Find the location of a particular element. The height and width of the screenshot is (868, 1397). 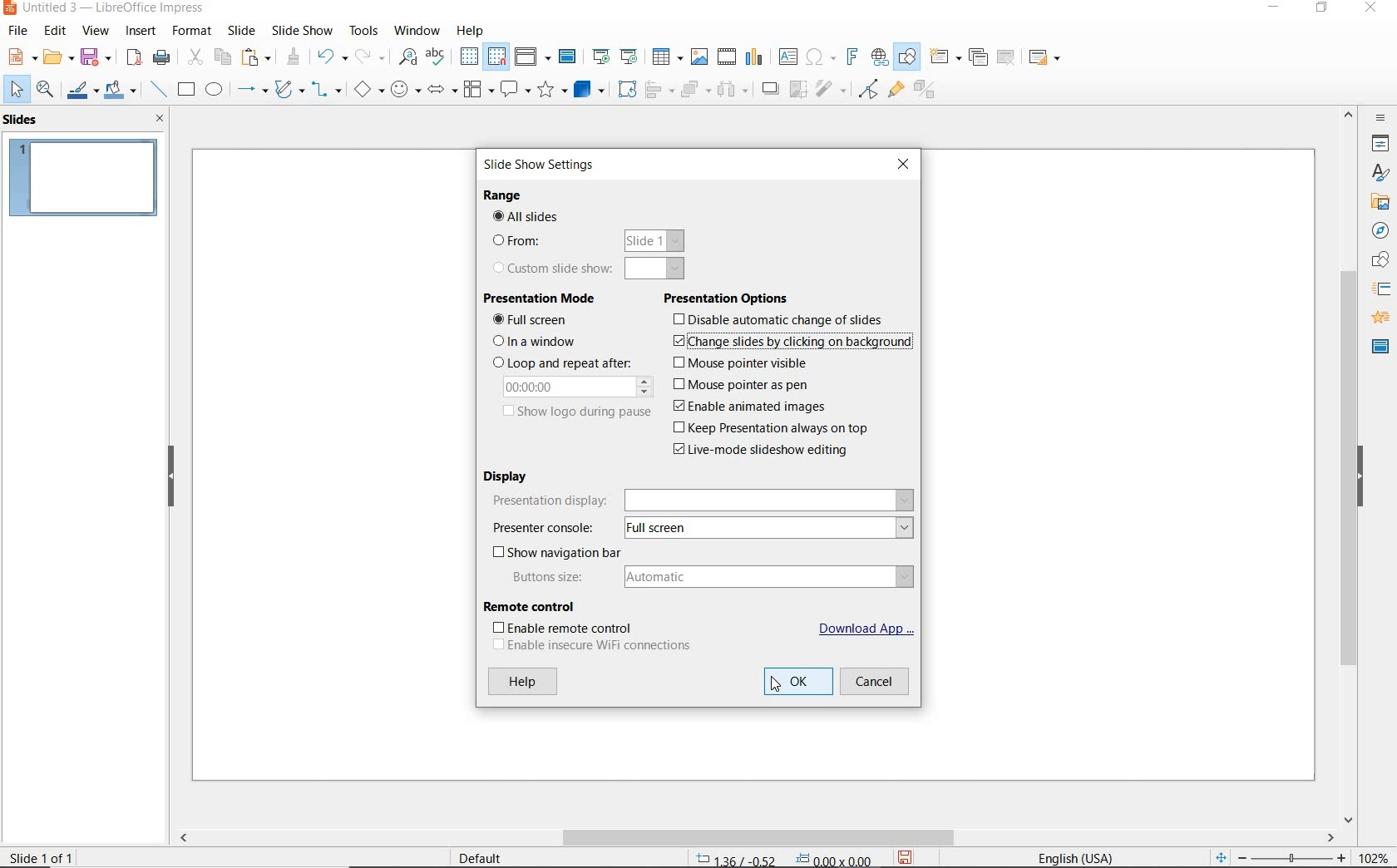

SLIDE is located at coordinates (245, 31).